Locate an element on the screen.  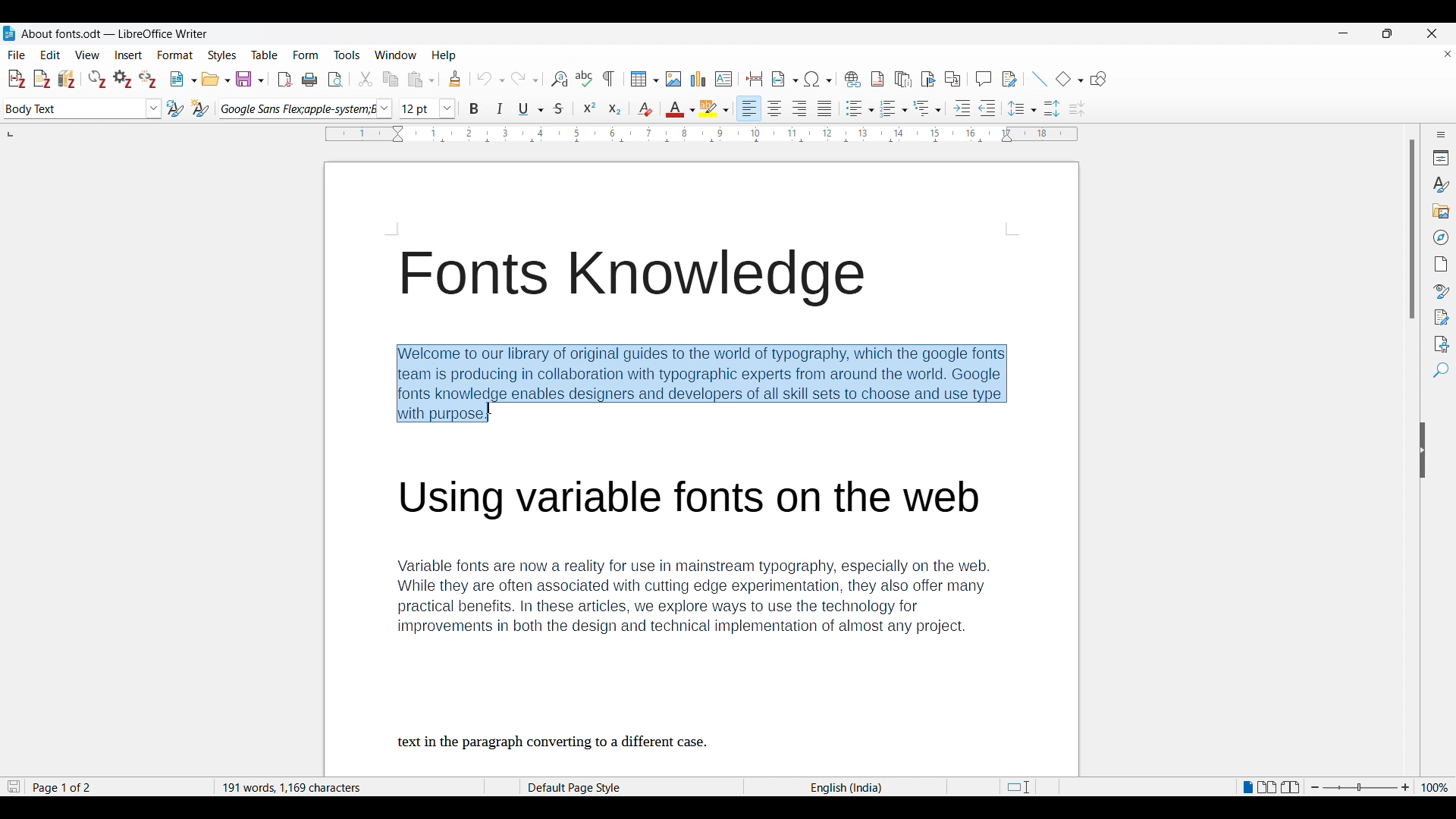
Insert cross-reference is located at coordinates (953, 79).